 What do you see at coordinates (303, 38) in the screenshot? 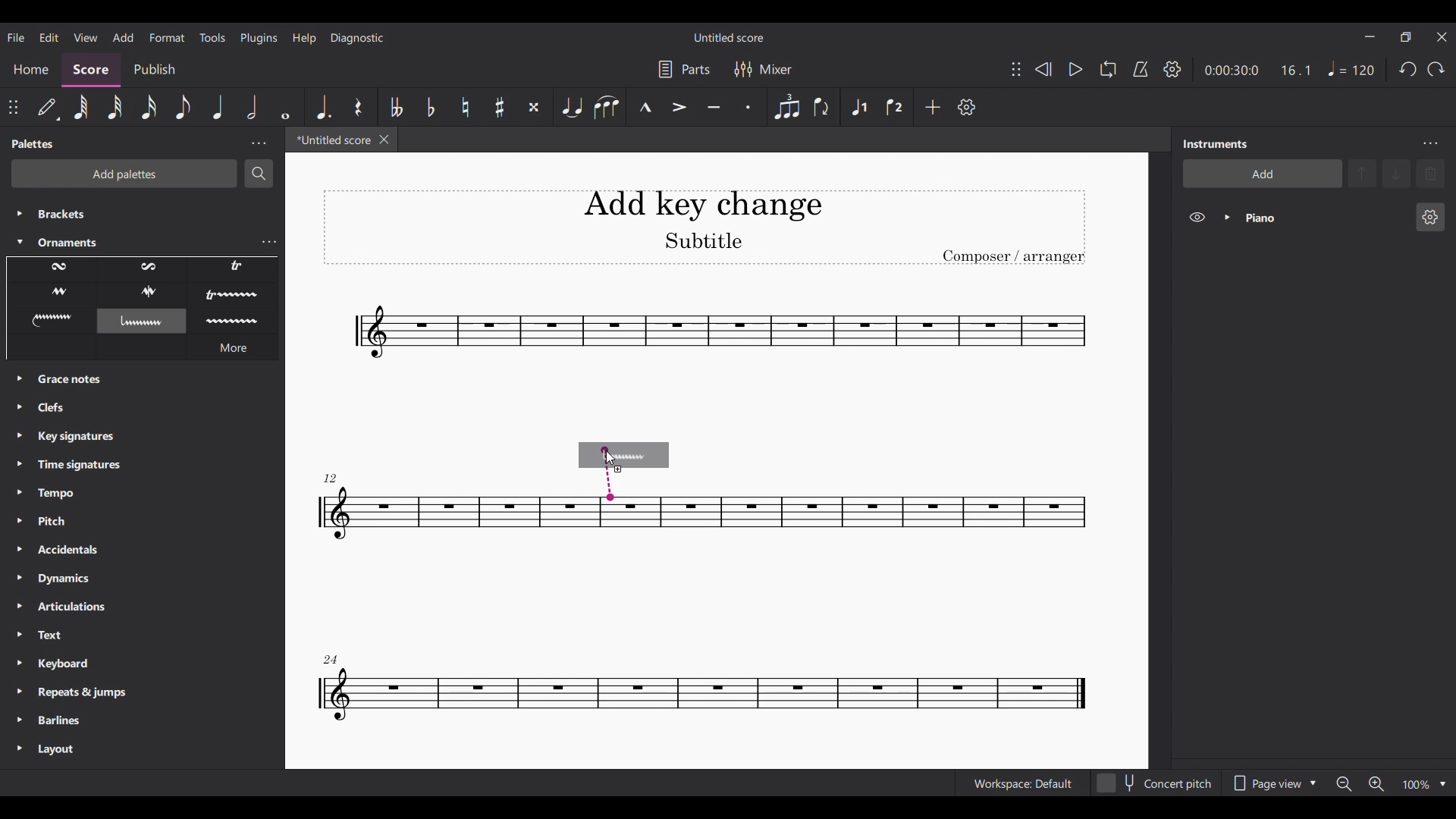
I see `Help menu` at bounding box center [303, 38].